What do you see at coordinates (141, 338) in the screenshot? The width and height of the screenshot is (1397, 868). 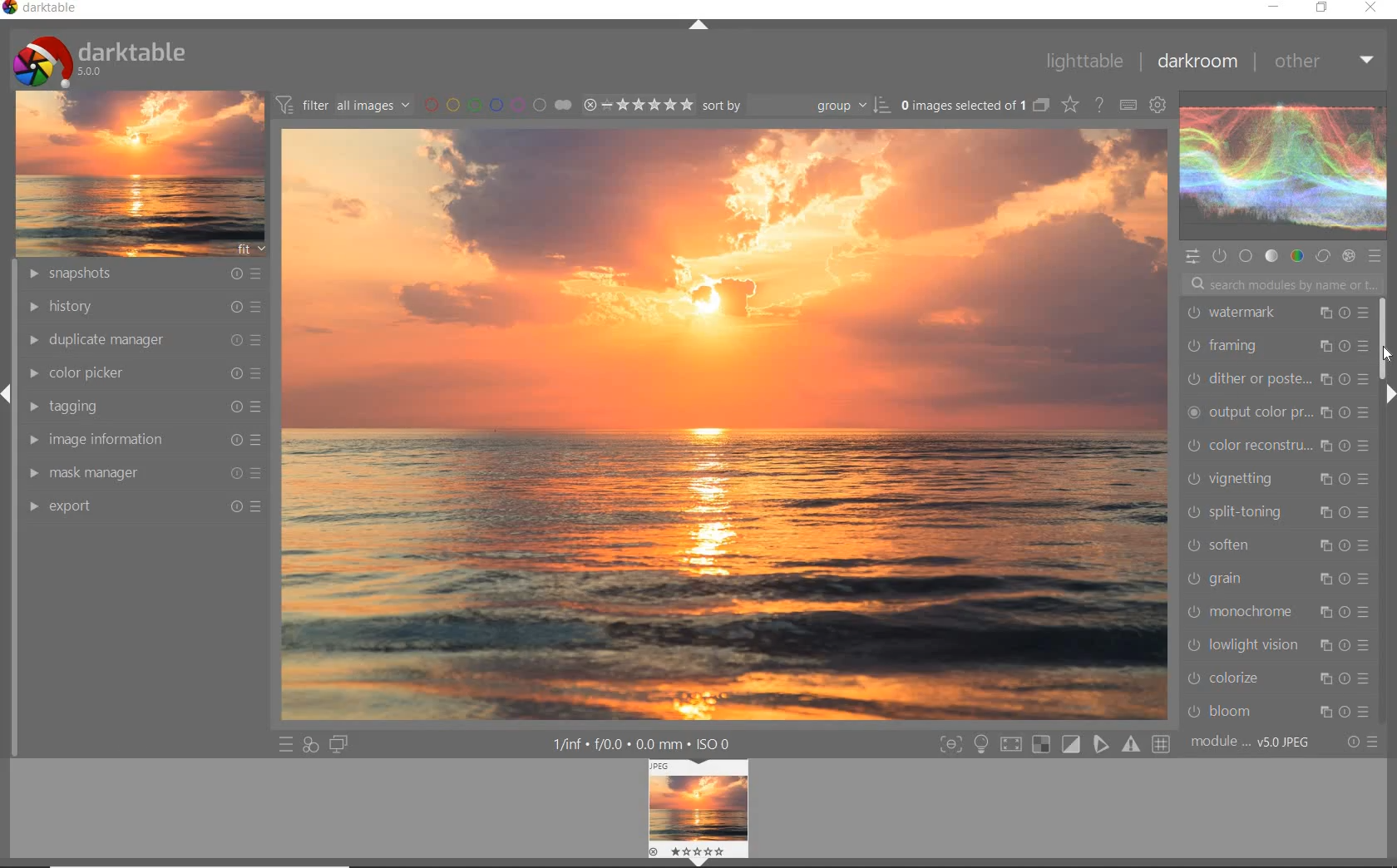 I see `DUPLICATE MANAGER` at bounding box center [141, 338].